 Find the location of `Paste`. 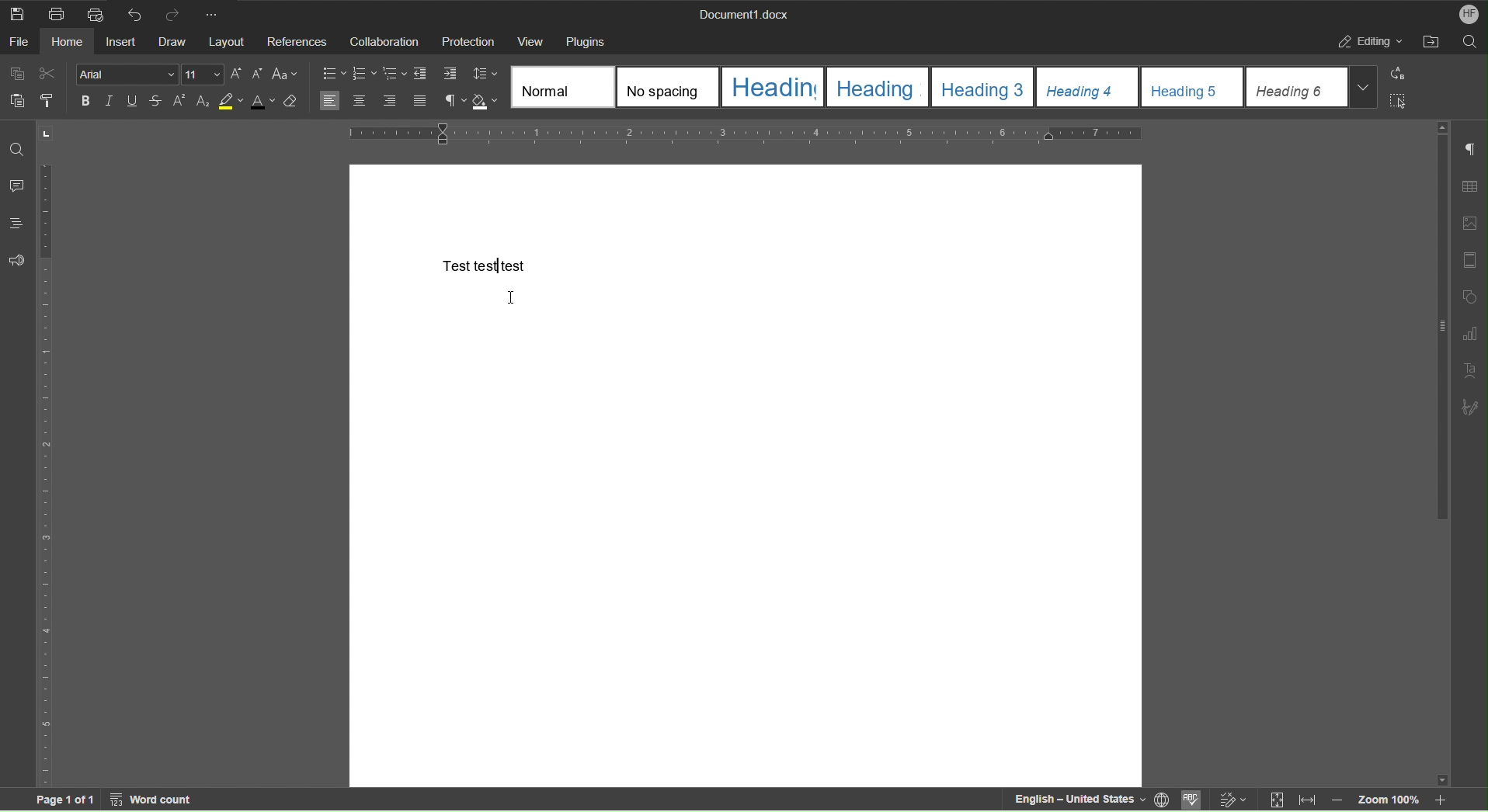

Paste is located at coordinates (14, 99).